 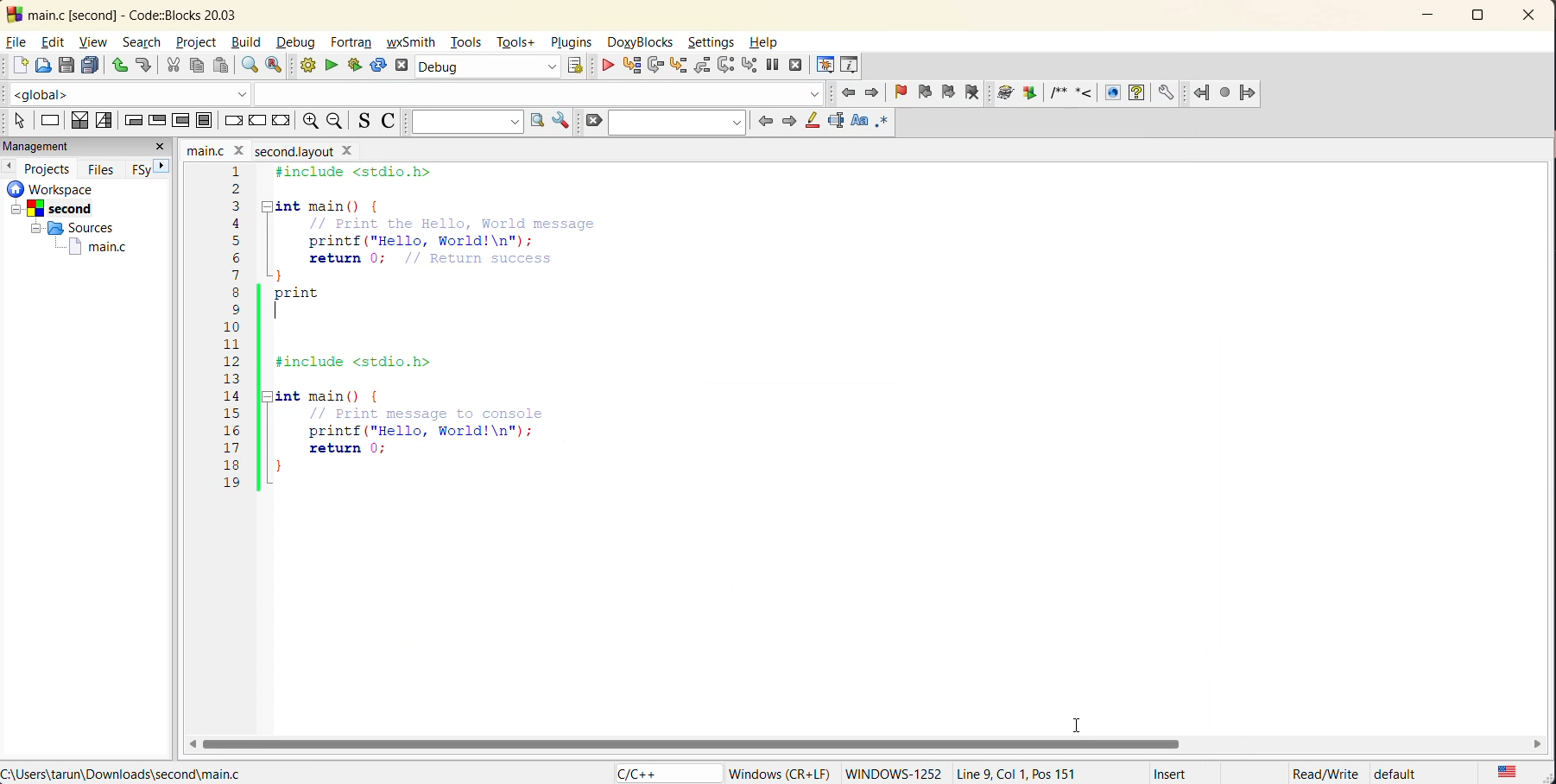 I want to click on exit condition loop, so click(x=156, y=119).